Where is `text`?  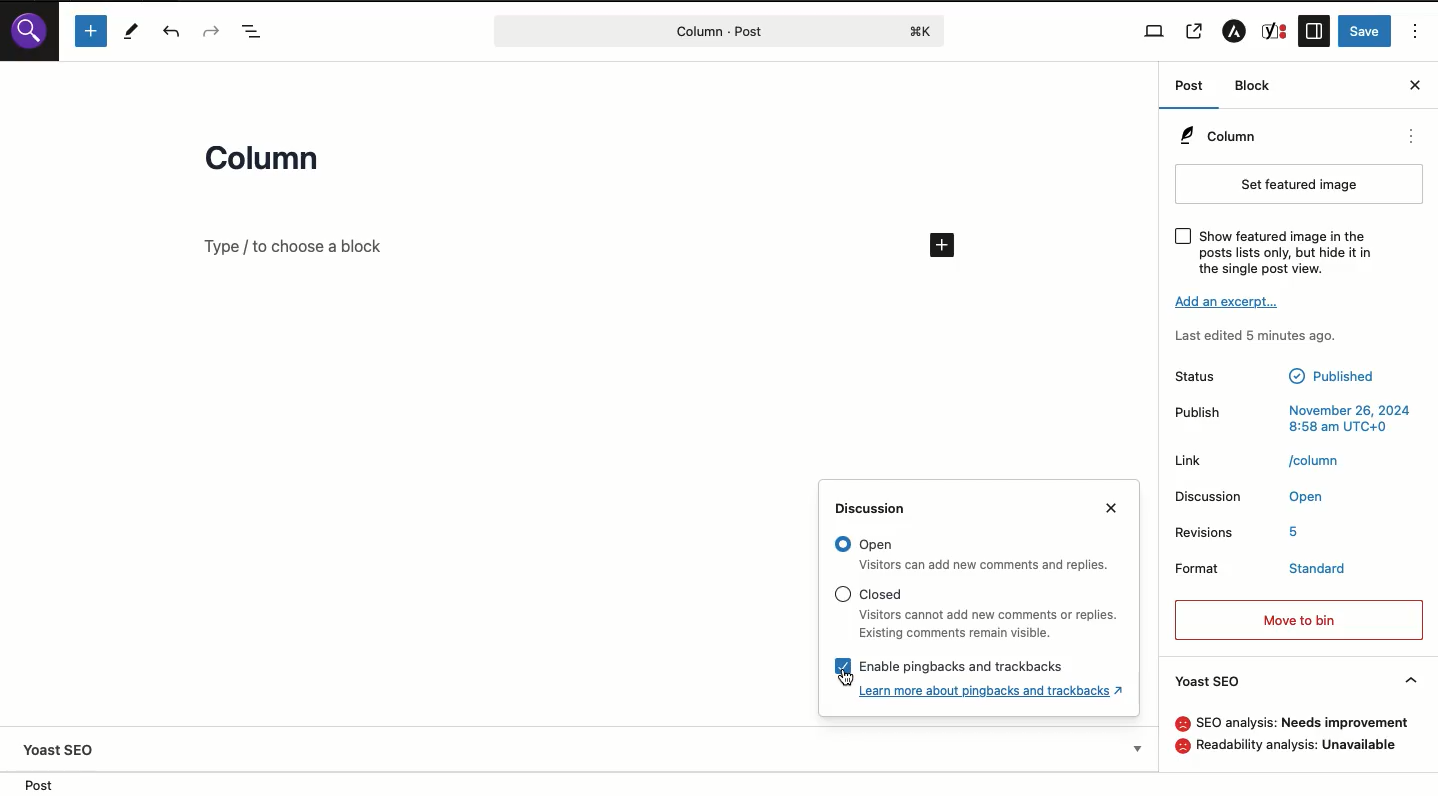 text is located at coordinates (1302, 723).